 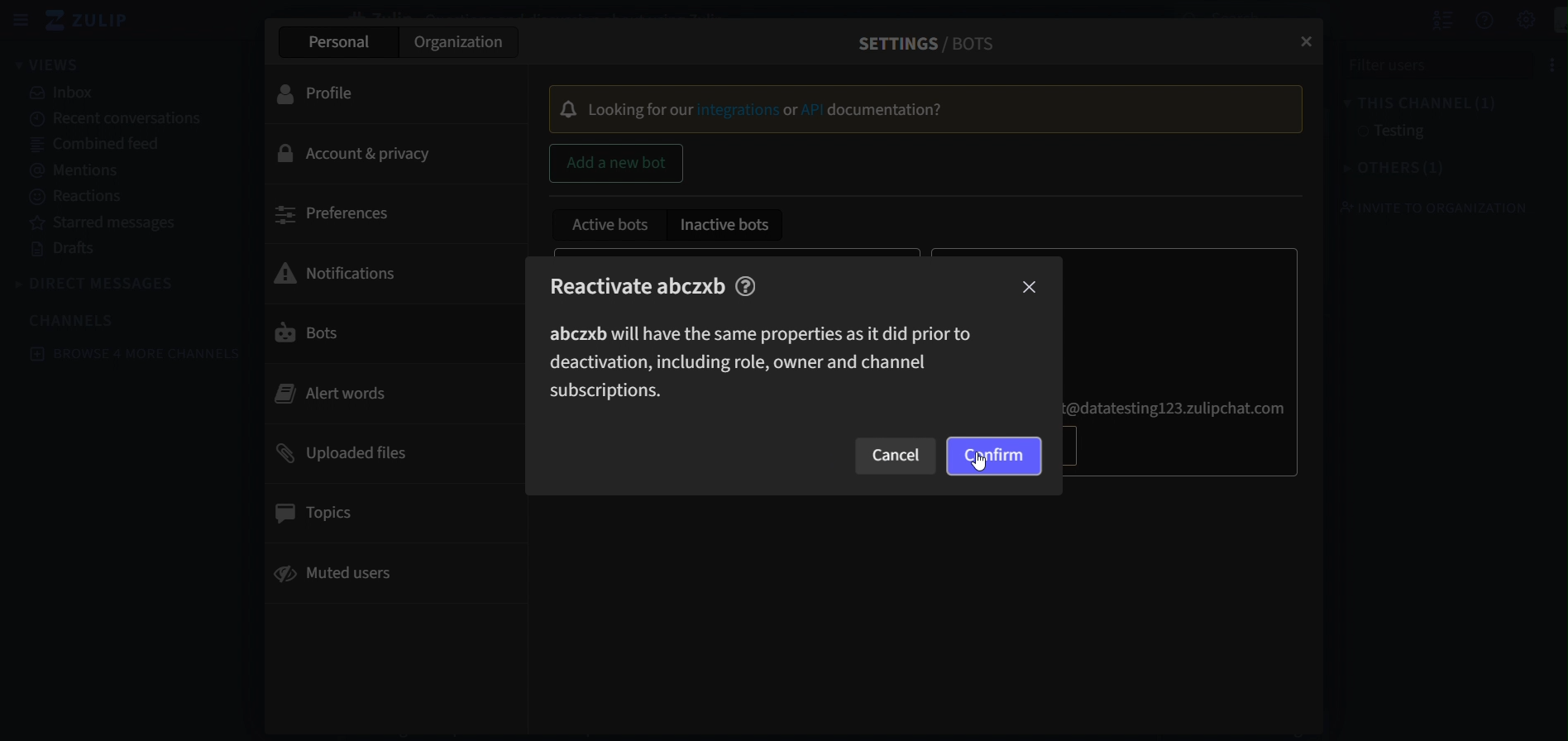 I want to click on hide sidebar, so click(x=17, y=22).